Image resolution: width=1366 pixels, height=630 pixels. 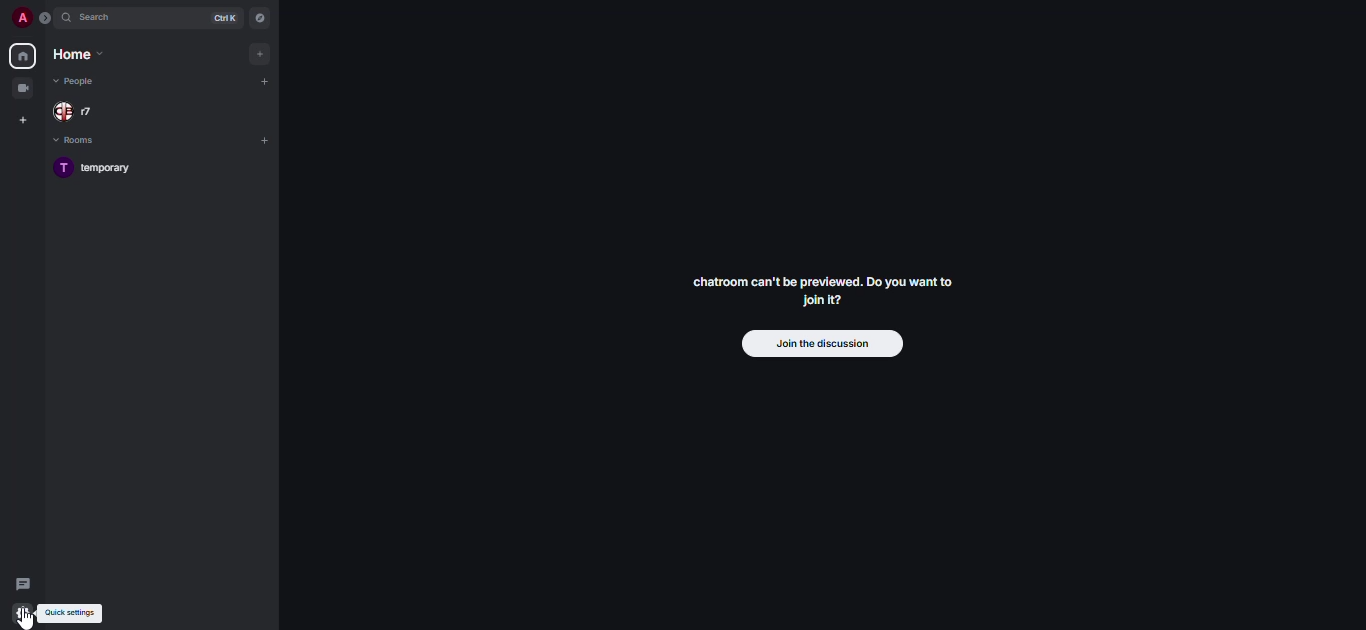 I want to click on chatroom can't be previewed. Join it?, so click(x=825, y=291).